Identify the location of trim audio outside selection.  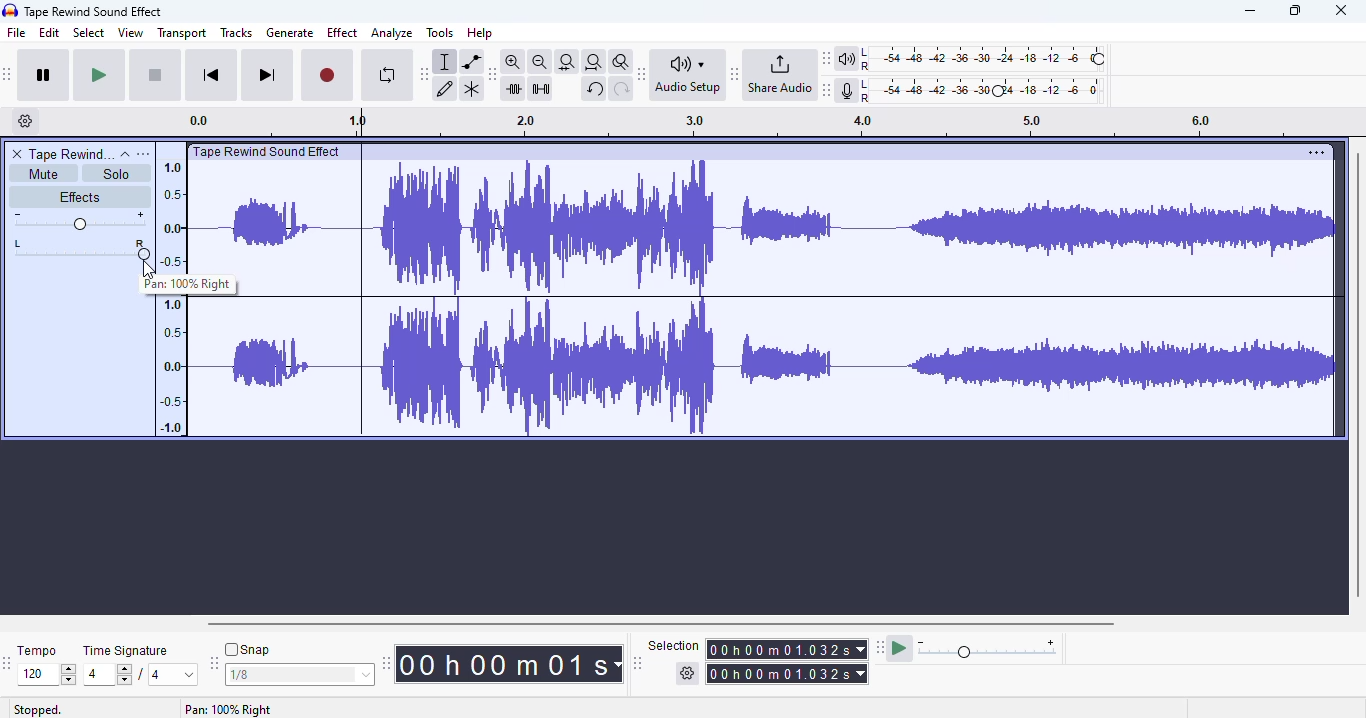
(516, 89).